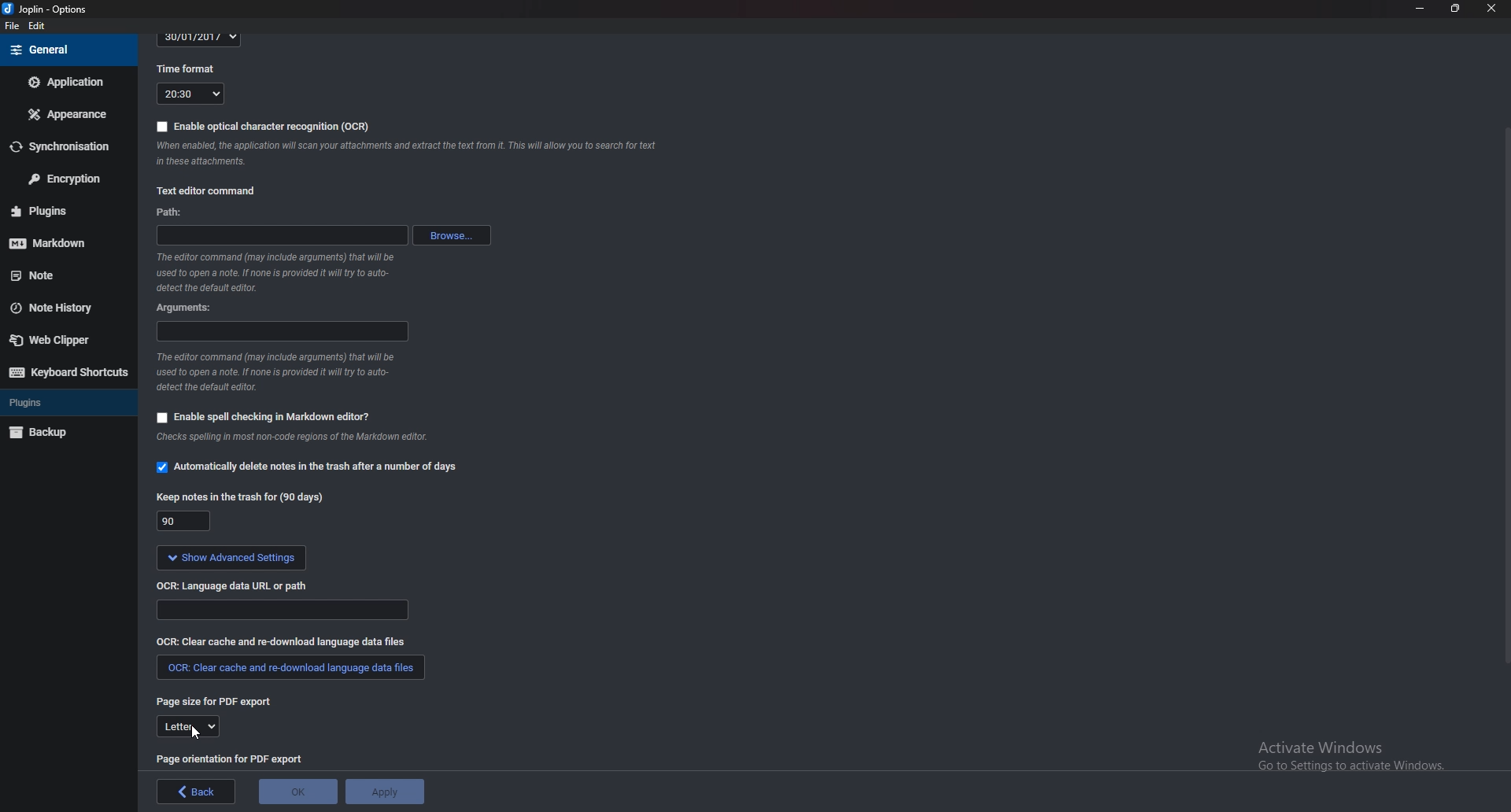 The image size is (1511, 812). I want to click on path, so click(282, 235).